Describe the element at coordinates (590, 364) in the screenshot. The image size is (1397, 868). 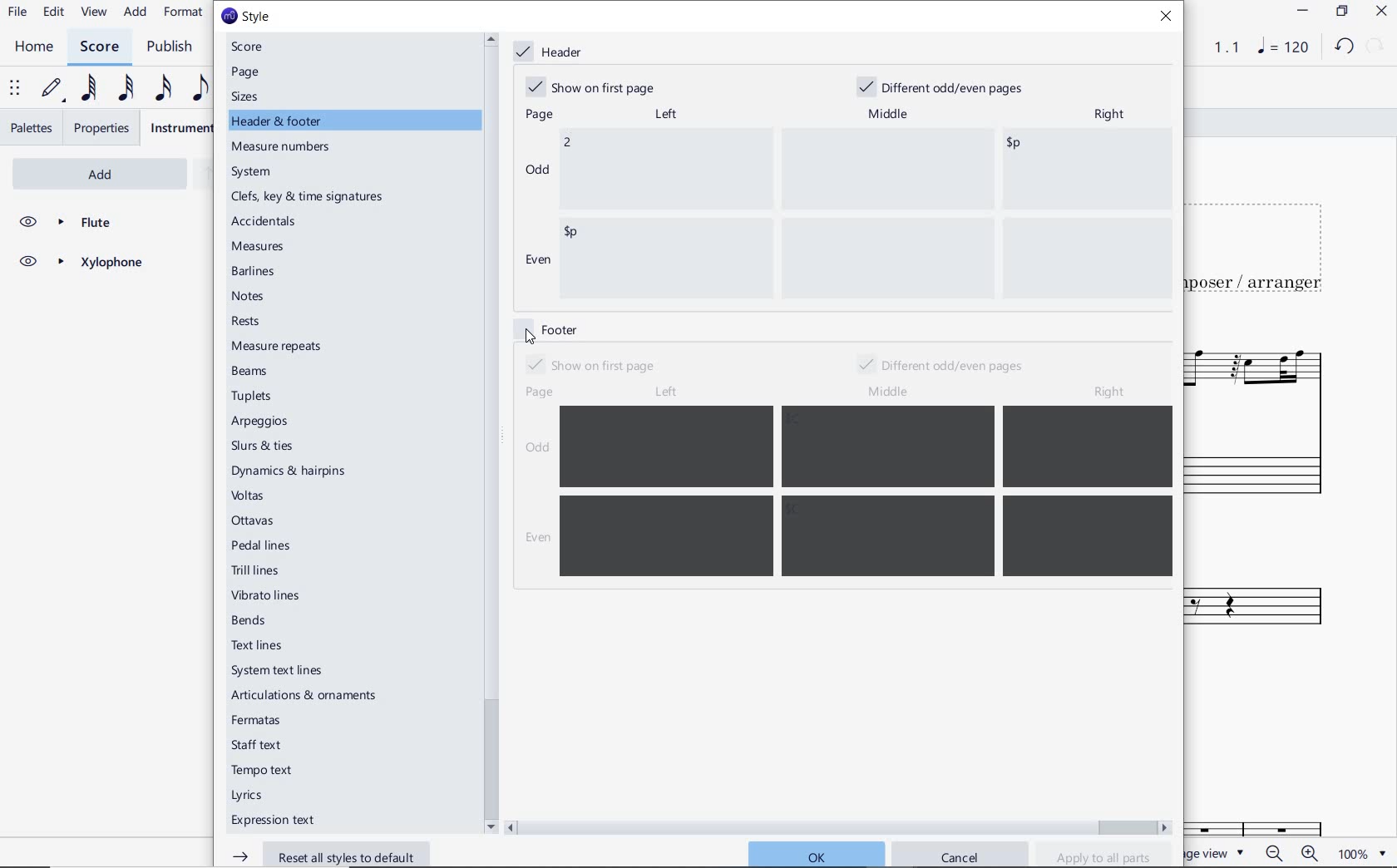
I see `show on first page` at that location.